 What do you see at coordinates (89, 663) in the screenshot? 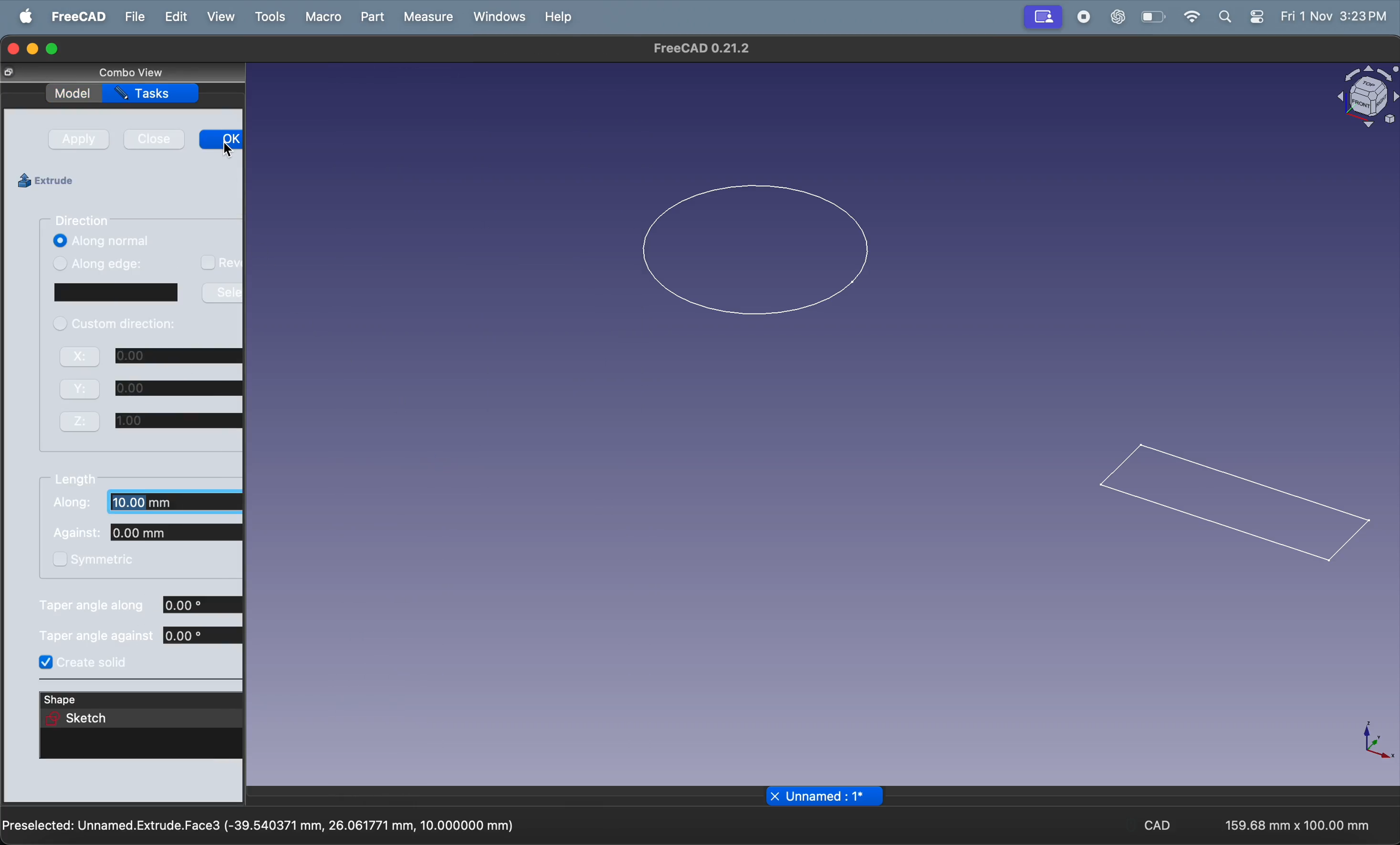
I see `create solid` at bounding box center [89, 663].